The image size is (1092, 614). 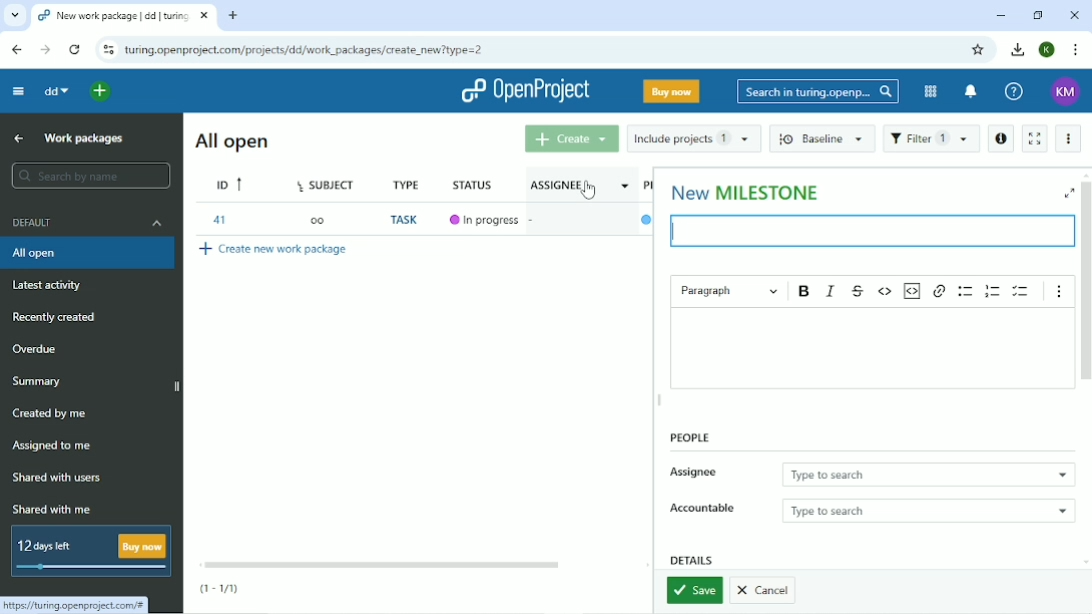 I want to click on Baseline, so click(x=822, y=140).